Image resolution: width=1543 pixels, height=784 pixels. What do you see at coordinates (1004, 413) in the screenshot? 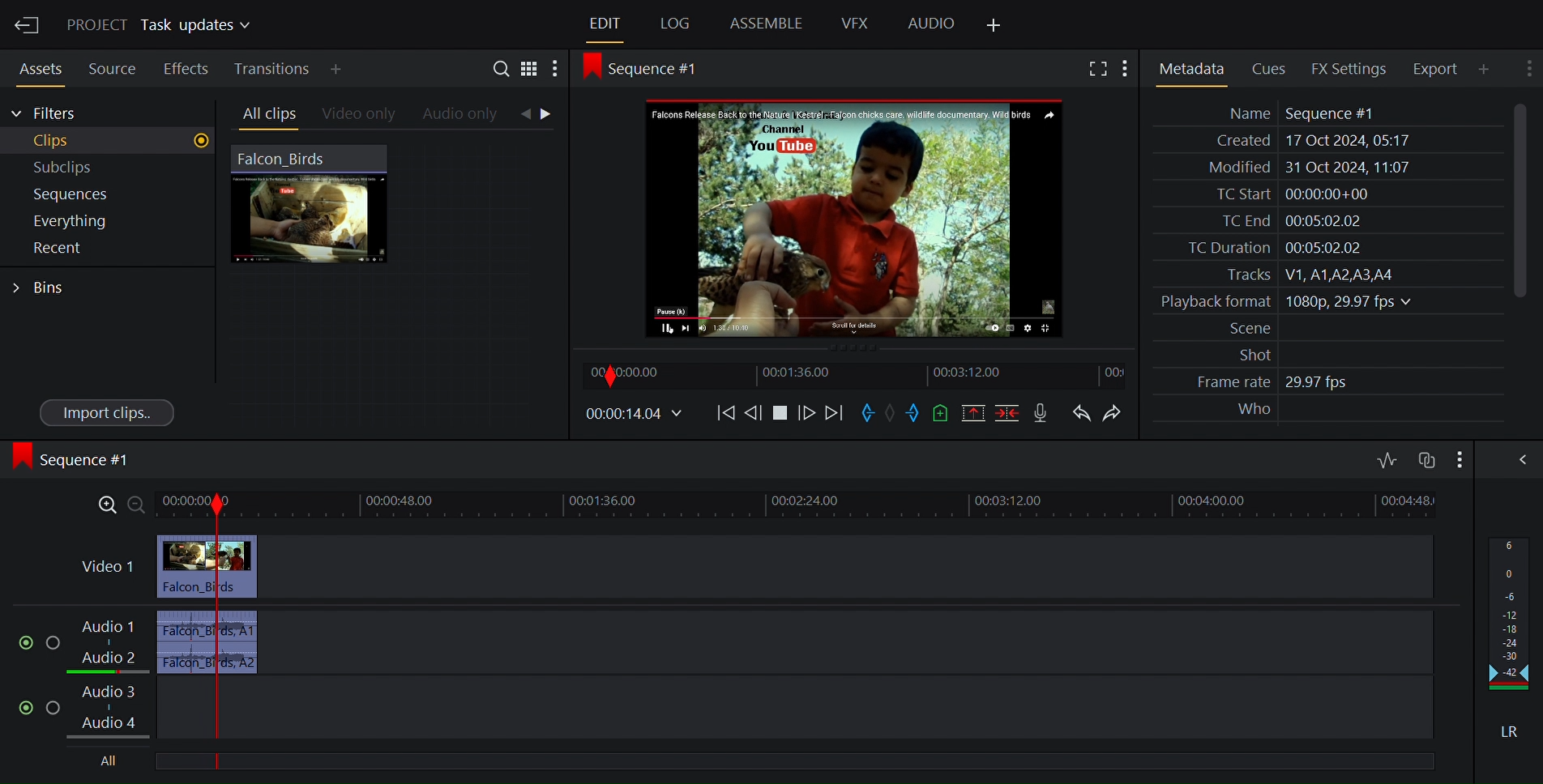
I see `Delete/cut` at bounding box center [1004, 413].